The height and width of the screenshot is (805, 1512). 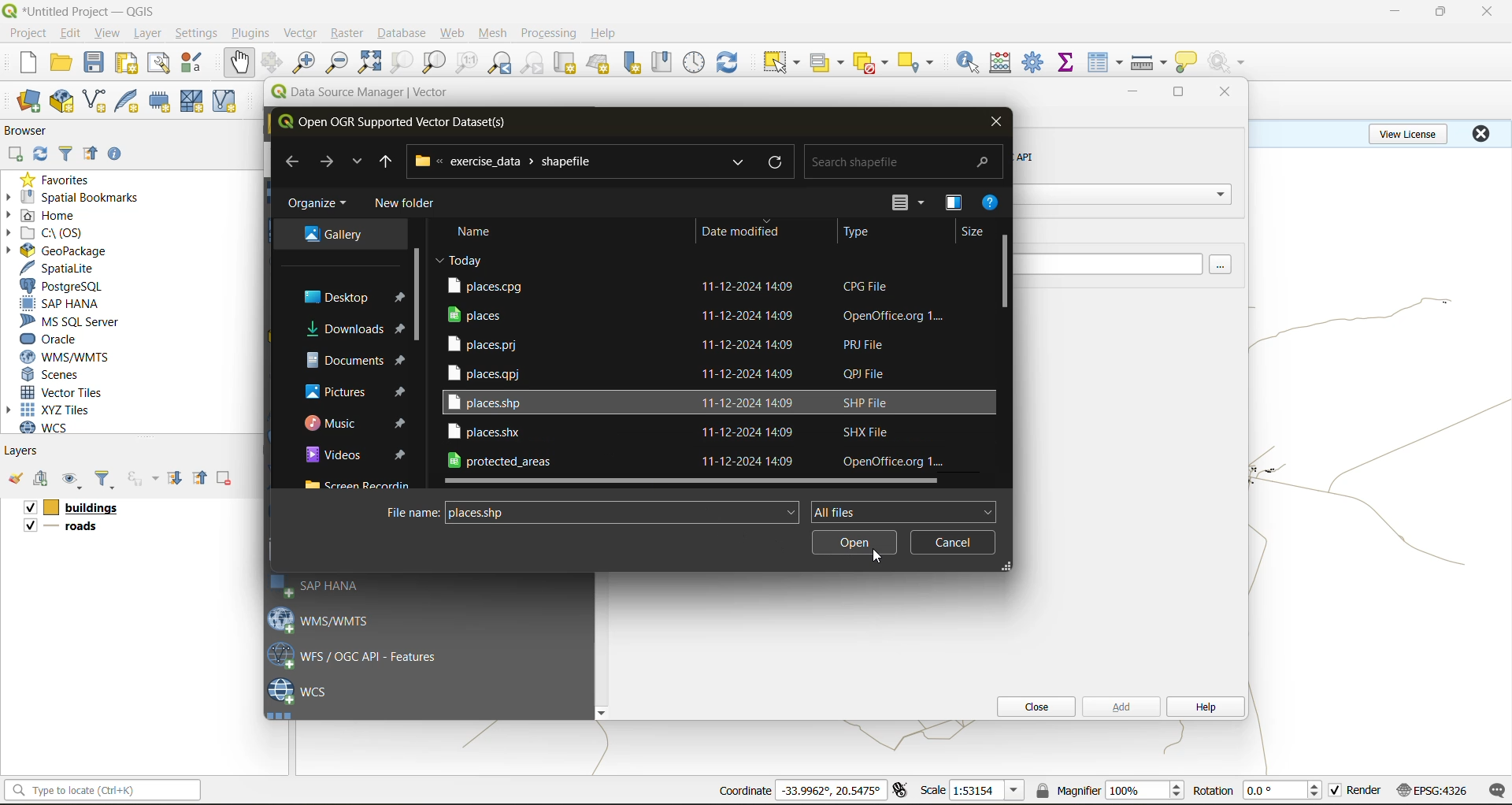 What do you see at coordinates (333, 236) in the screenshot?
I see `folder explorer` at bounding box center [333, 236].